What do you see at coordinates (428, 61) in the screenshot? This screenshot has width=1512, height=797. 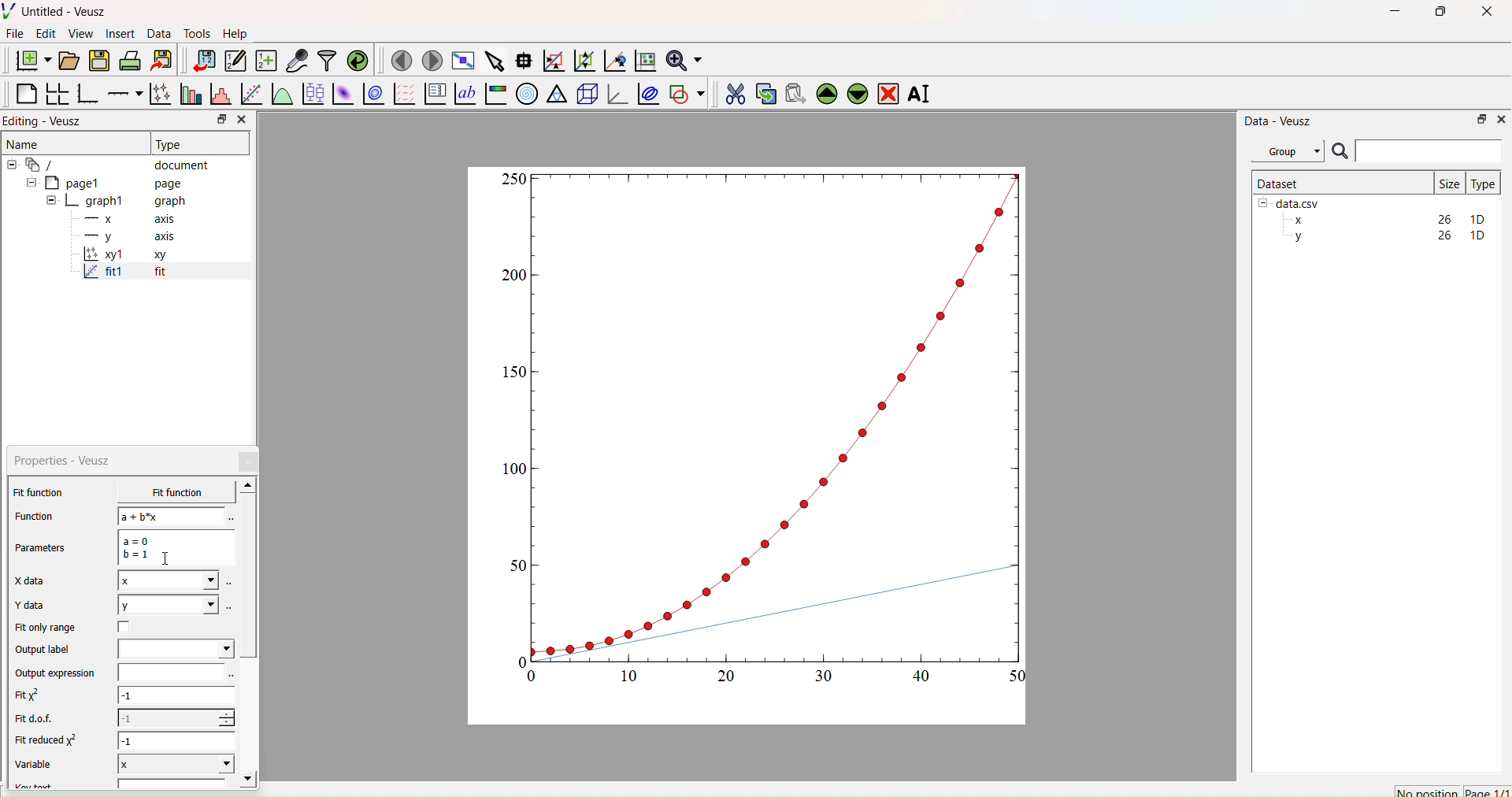 I see `Next page` at bounding box center [428, 61].